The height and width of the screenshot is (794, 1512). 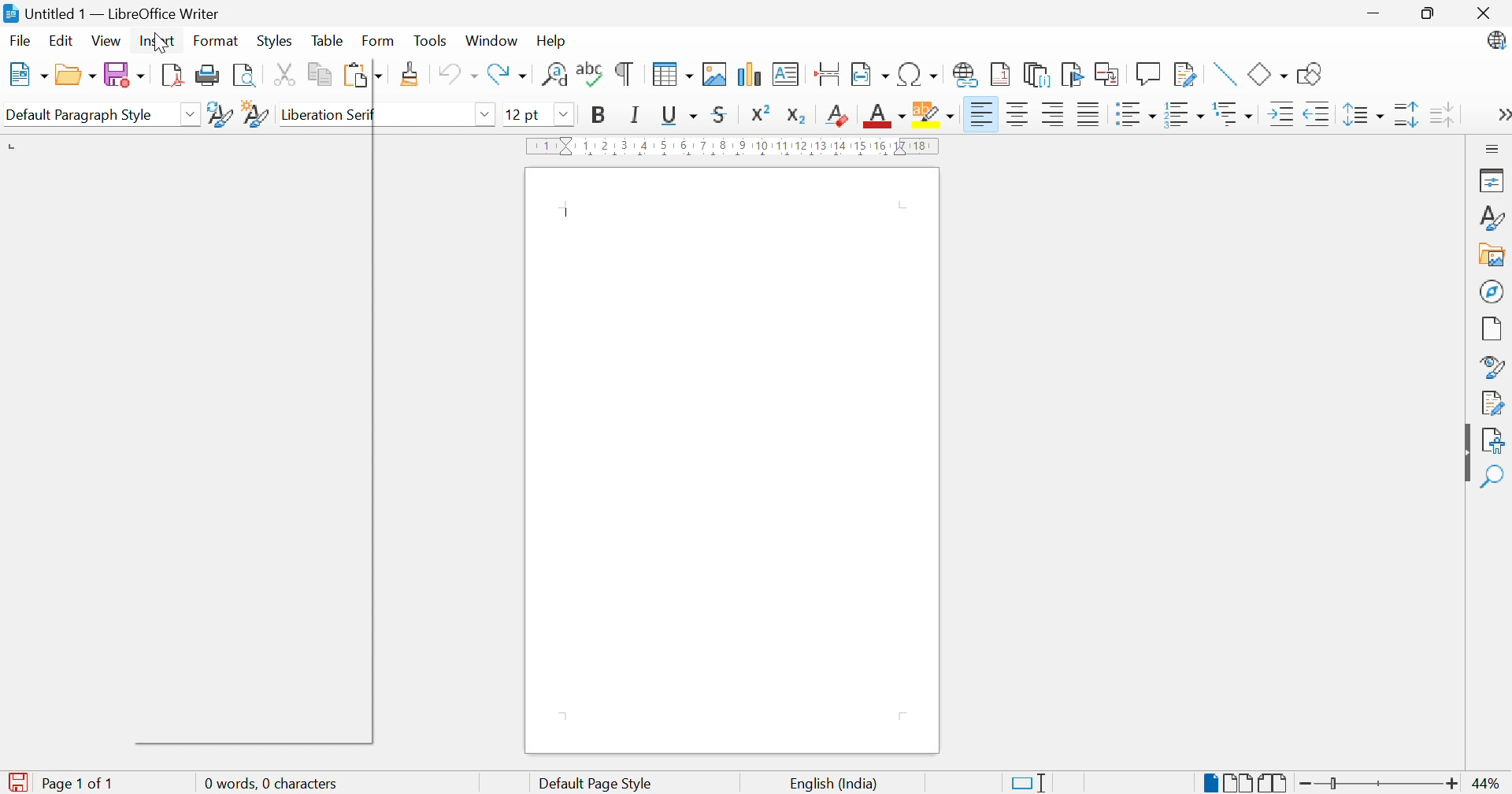 What do you see at coordinates (719, 113) in the screenshot?
I see `Strikethrough` at bounding box center [719, 113].